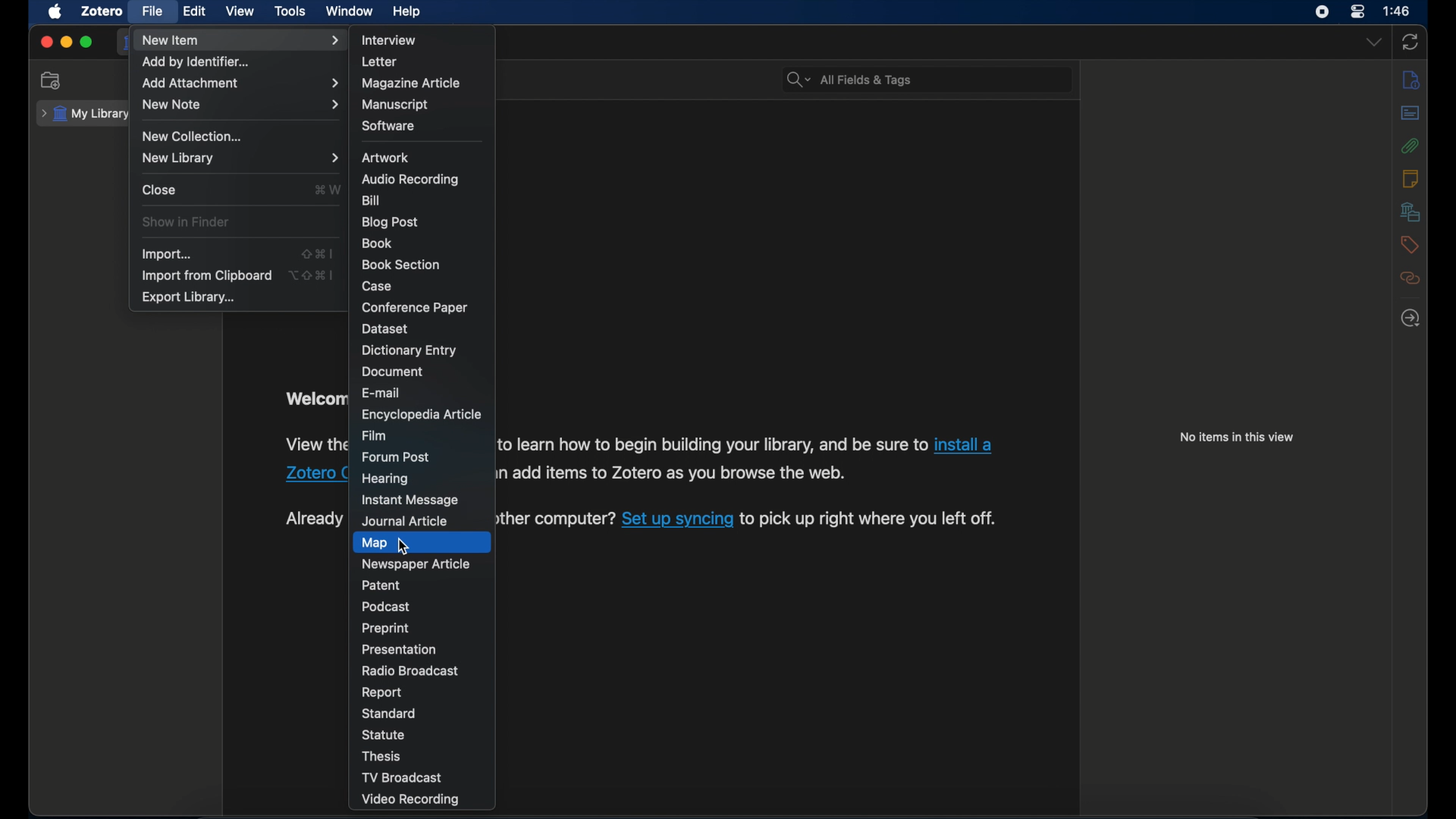  Describe the element at coordinates (240, 104) in the screenshot. I see `new note` at that location.